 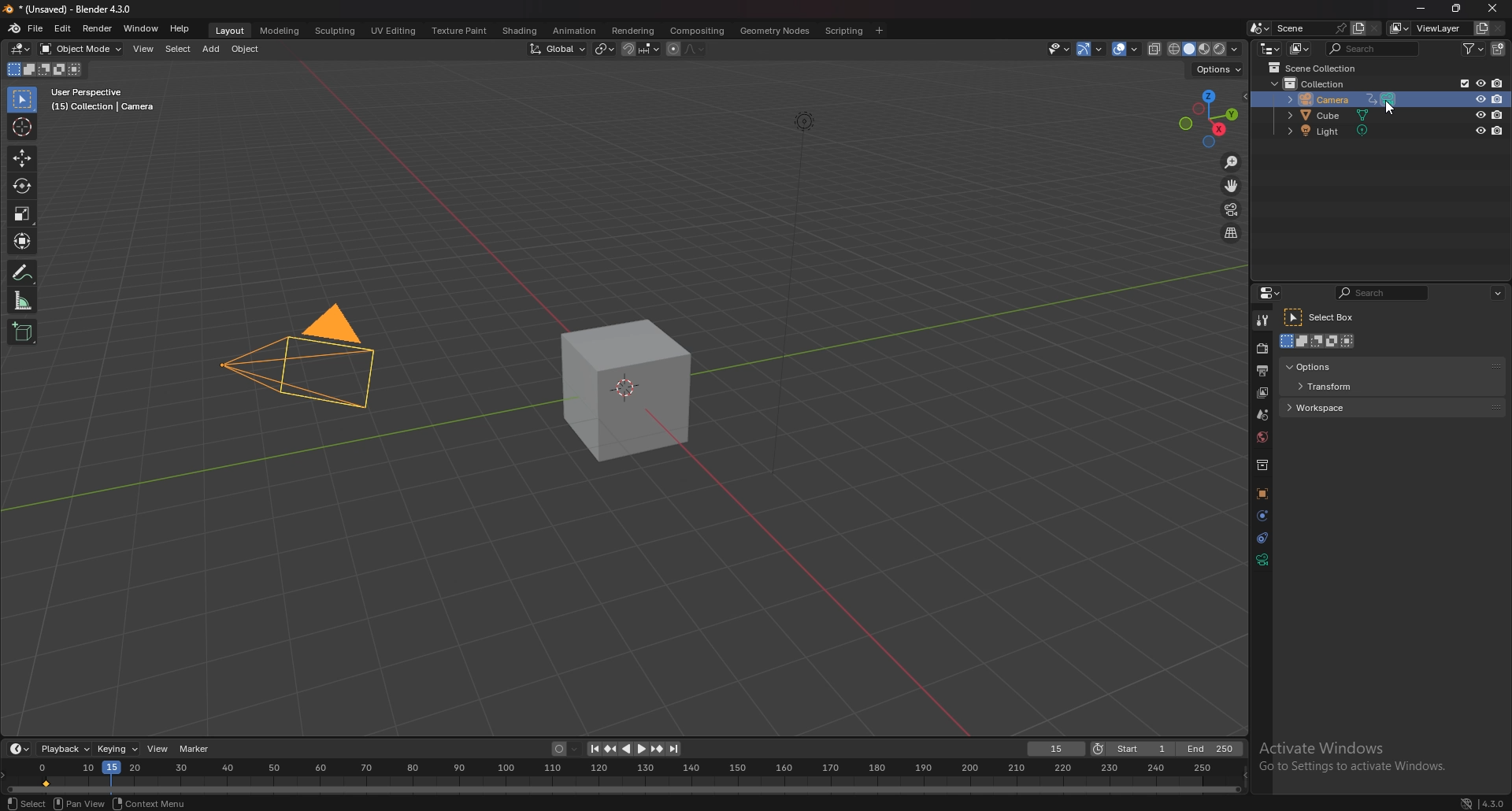 What do you see at coordinates (16, 28) in the screenshot?
I see `blender` at bounding box center [16, 28].